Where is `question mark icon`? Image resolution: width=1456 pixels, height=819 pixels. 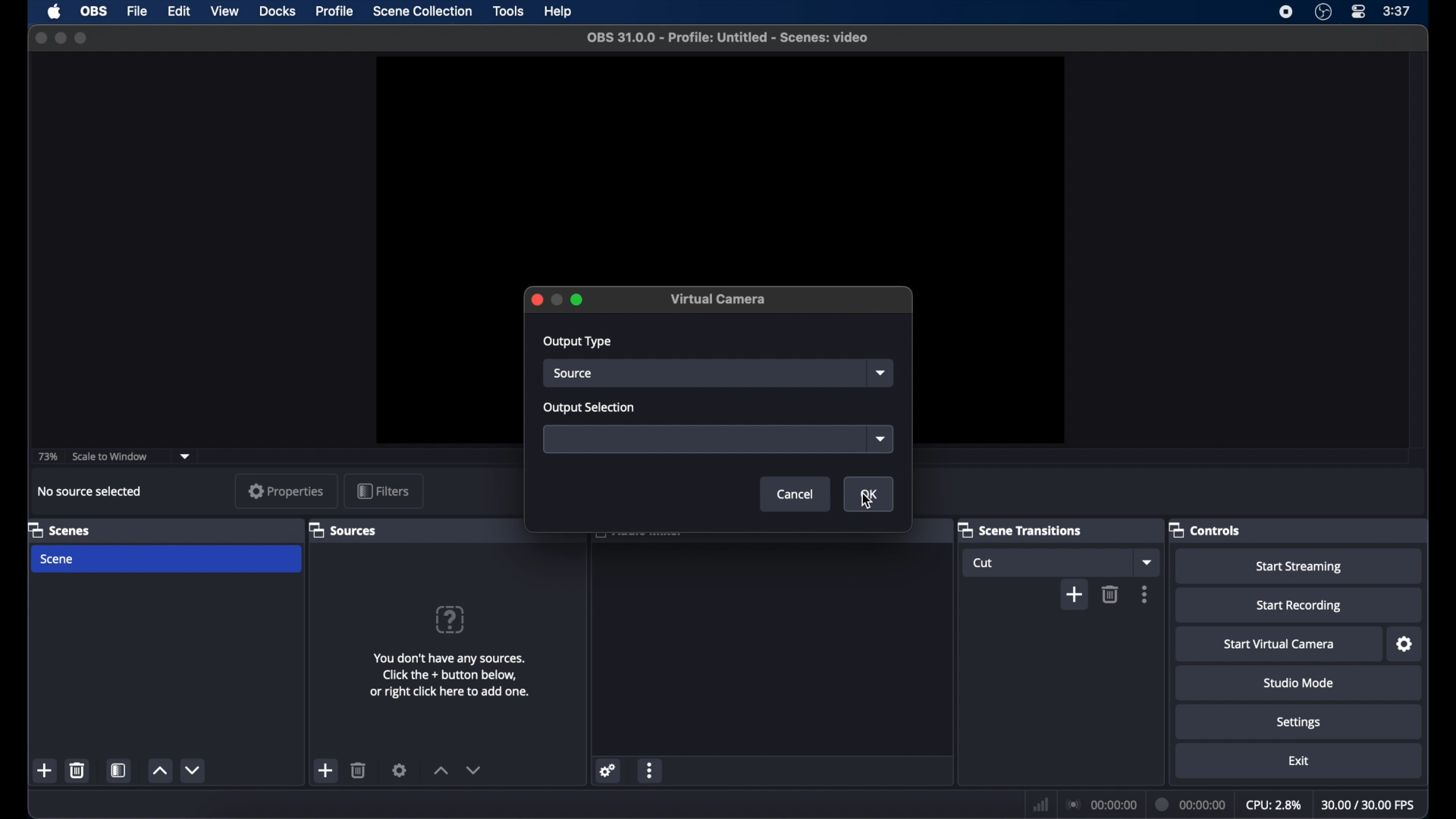
question mark icon is located at coordinates (450, 620).